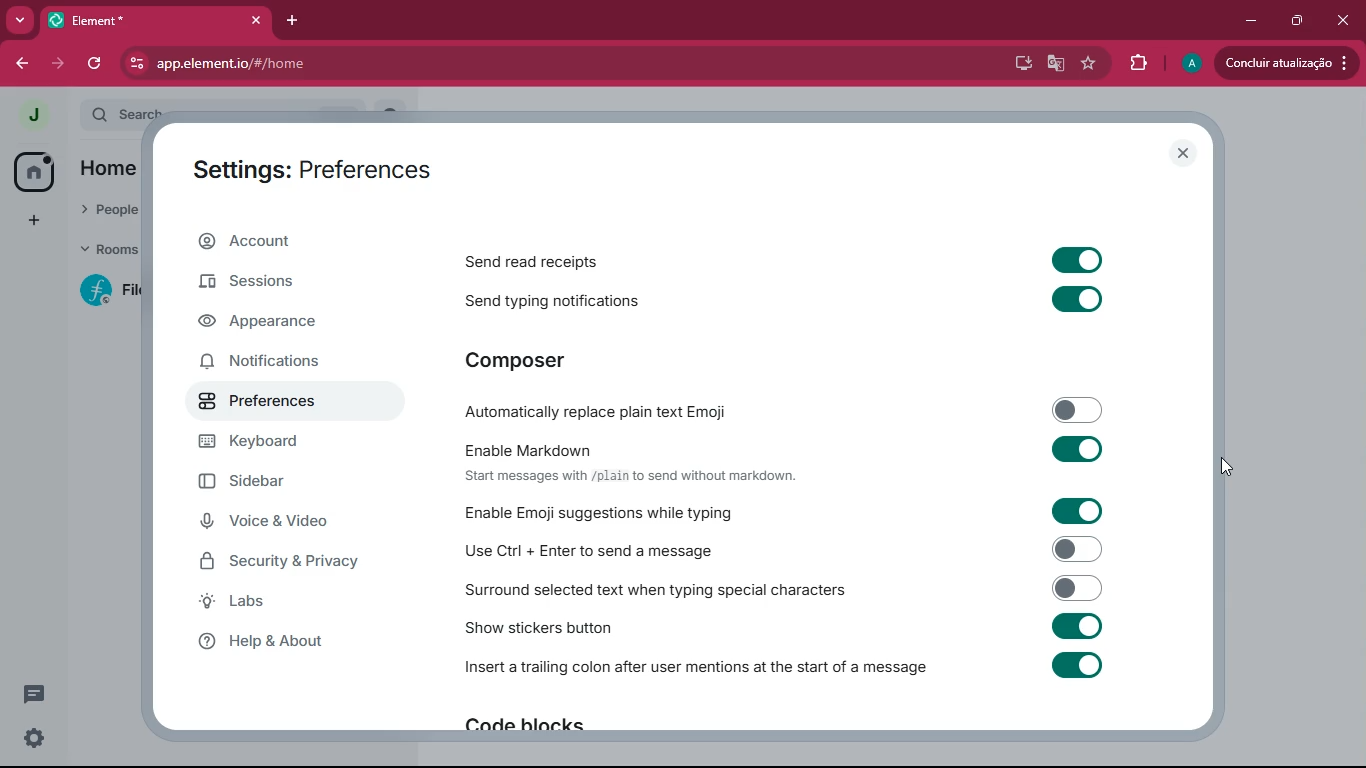  Describe the element at coordinates (157, 20) in the screenshot. I see `element` at that location.